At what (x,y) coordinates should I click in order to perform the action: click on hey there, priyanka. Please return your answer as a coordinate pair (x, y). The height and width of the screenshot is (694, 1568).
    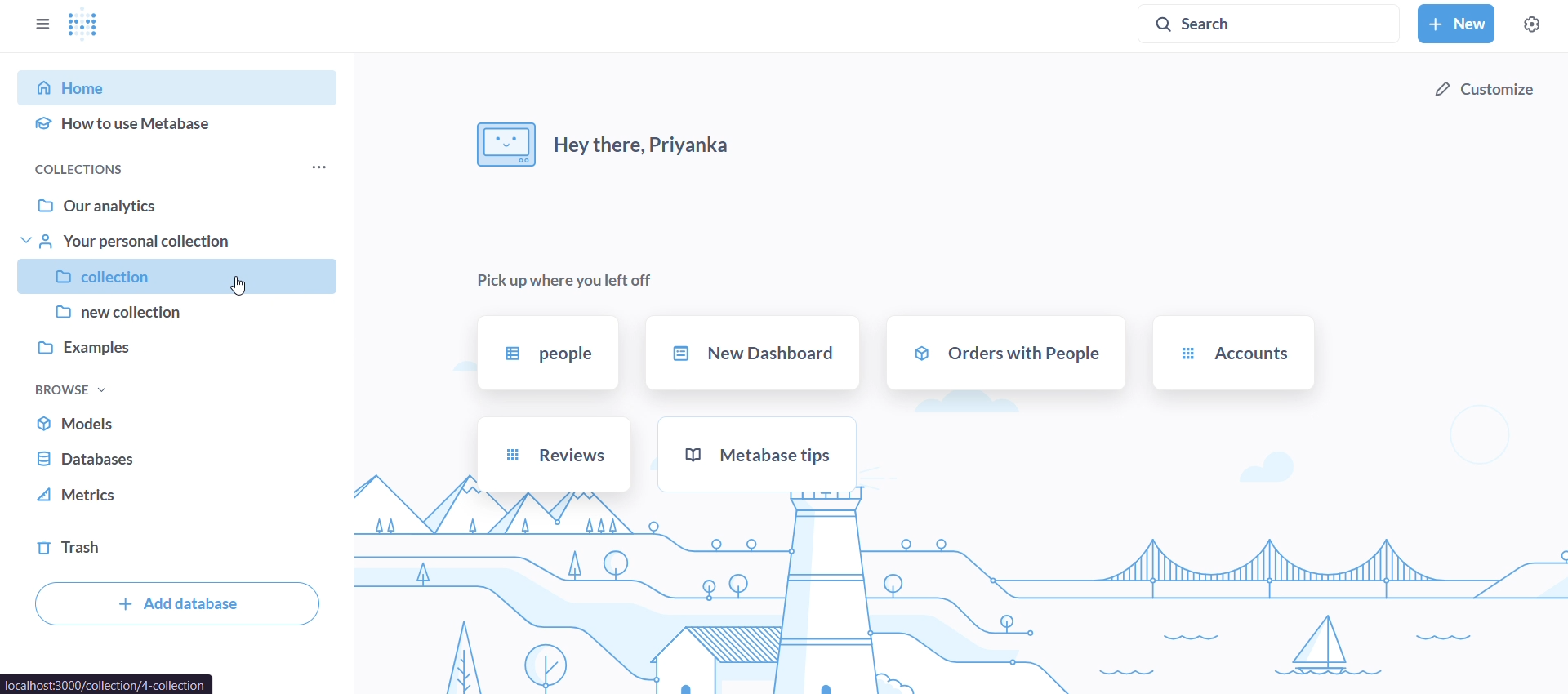
    Looking at the image, I should click on (608, 145).